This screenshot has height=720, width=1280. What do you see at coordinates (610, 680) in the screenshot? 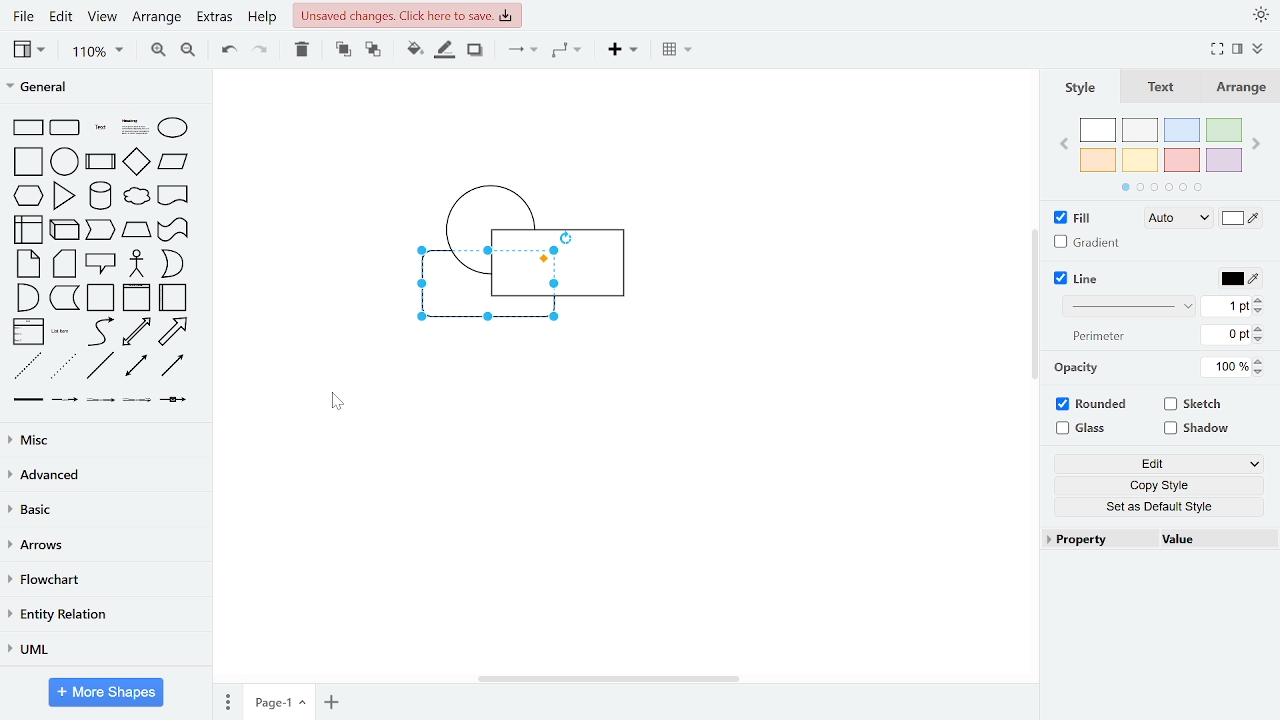
I see `horizontal scrollbar` at bounding box center [610, 680].